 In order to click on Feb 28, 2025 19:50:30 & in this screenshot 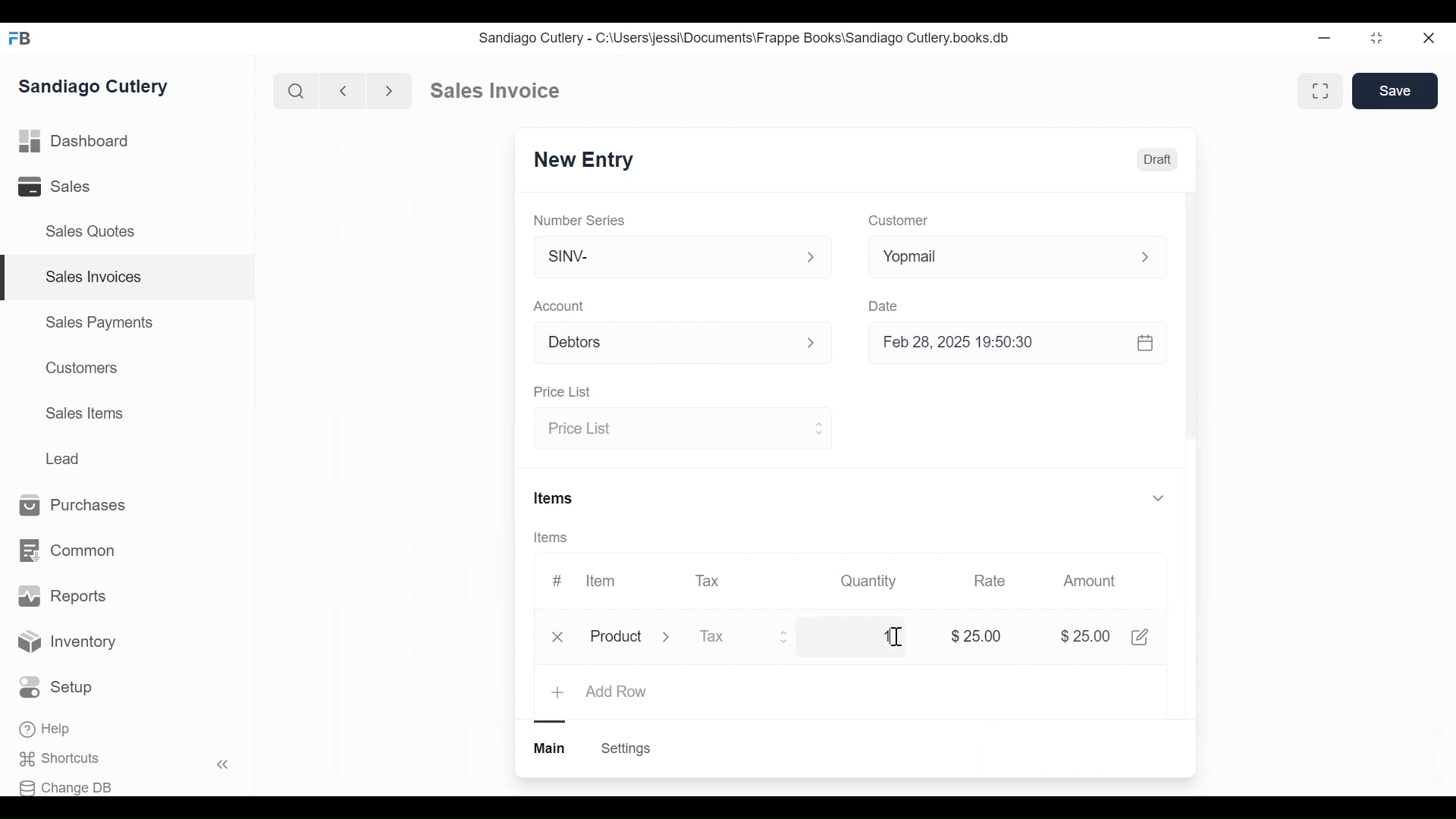, I will do `click(1021, 344)`.